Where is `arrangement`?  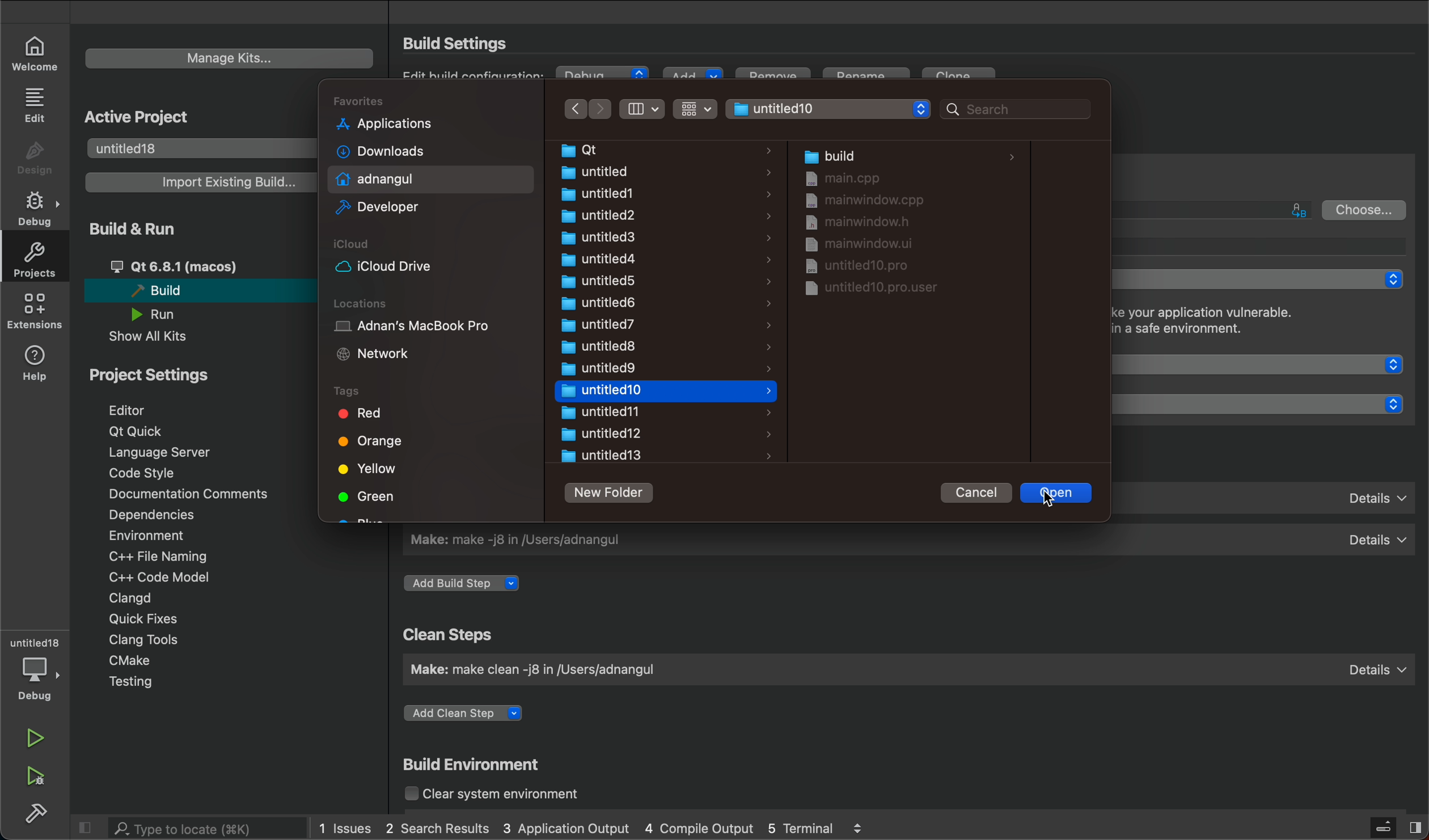
arrangement is located at coordinates (639, 109).